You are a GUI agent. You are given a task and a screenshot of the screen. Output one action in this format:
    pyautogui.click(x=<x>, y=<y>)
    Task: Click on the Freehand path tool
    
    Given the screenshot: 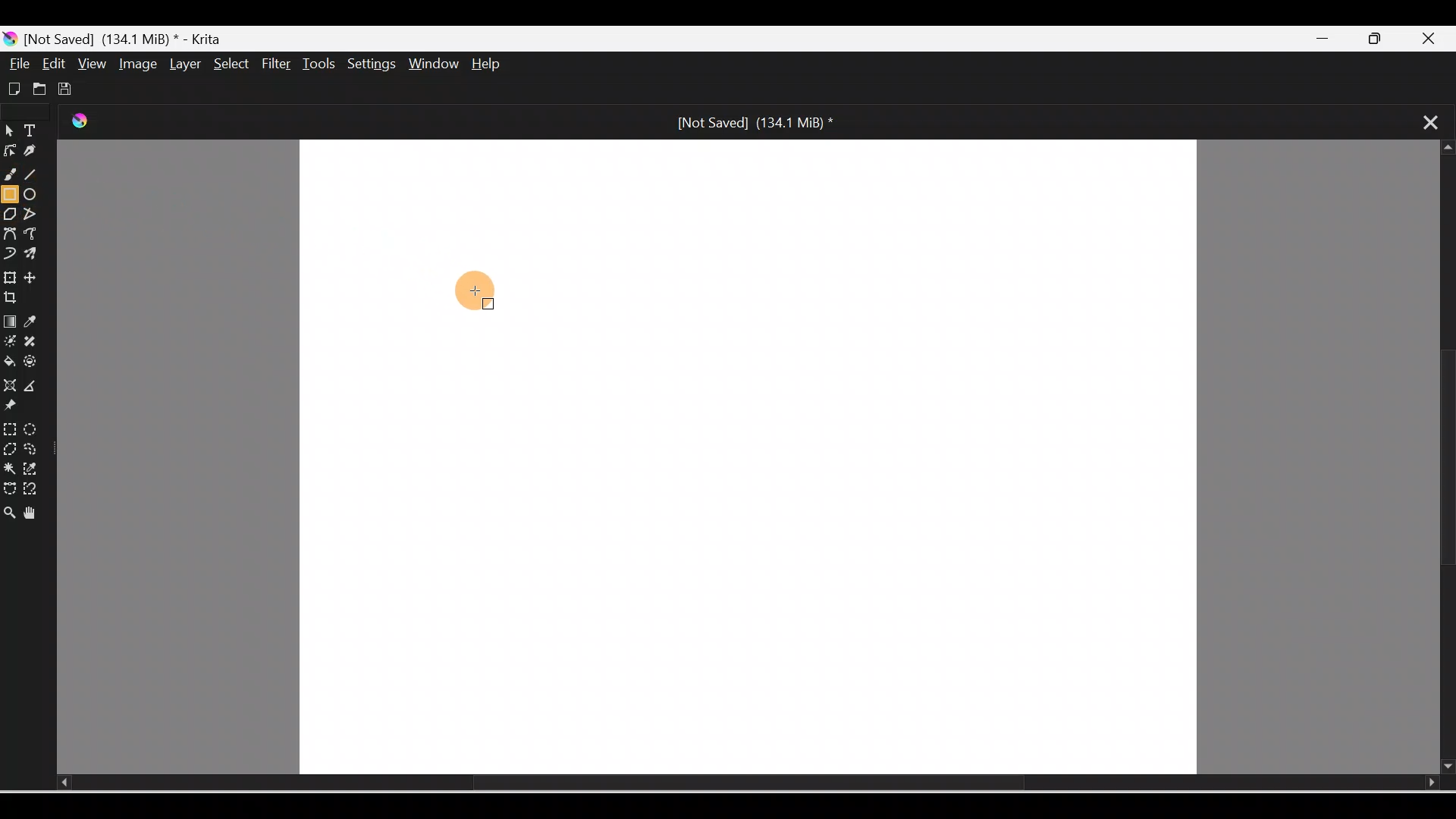 What is the action you would take?
    pyautogui.click(x=35, y=235)
    